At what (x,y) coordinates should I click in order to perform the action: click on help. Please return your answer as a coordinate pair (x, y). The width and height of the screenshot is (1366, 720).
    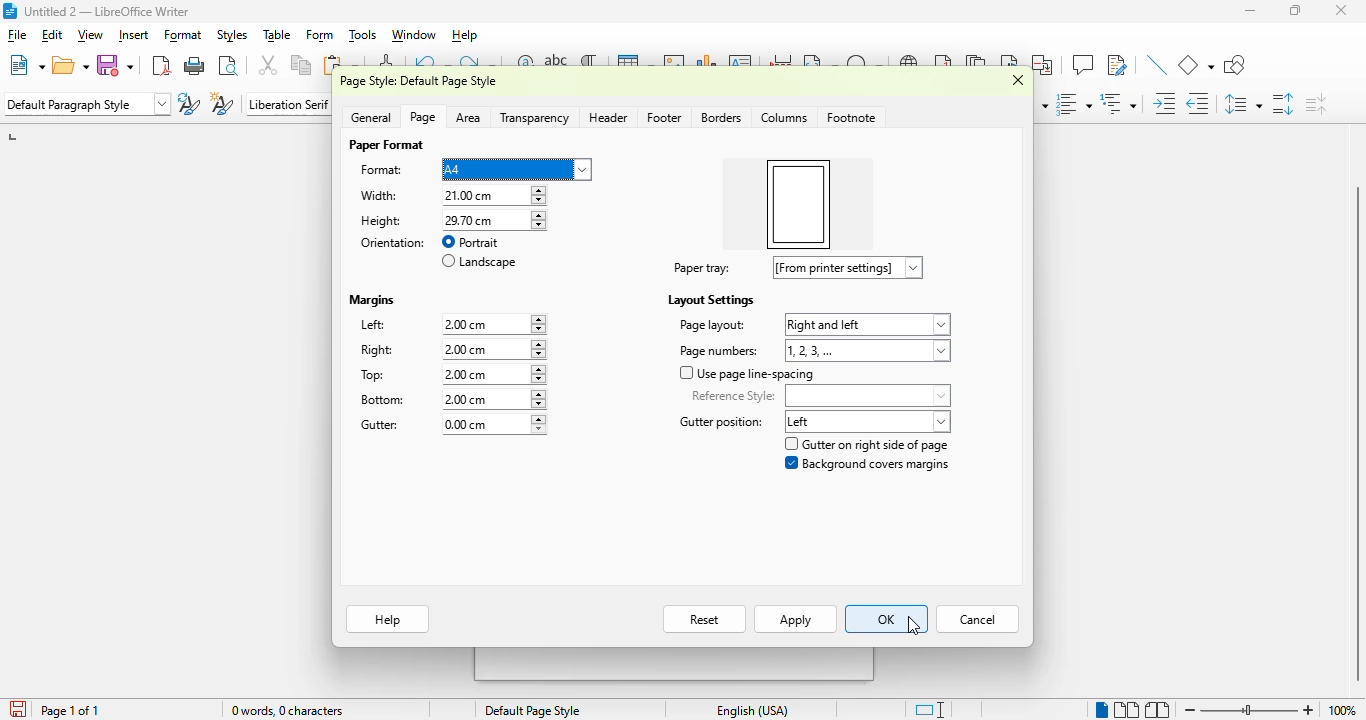
    Looking at the image, I should click on (465, 34).